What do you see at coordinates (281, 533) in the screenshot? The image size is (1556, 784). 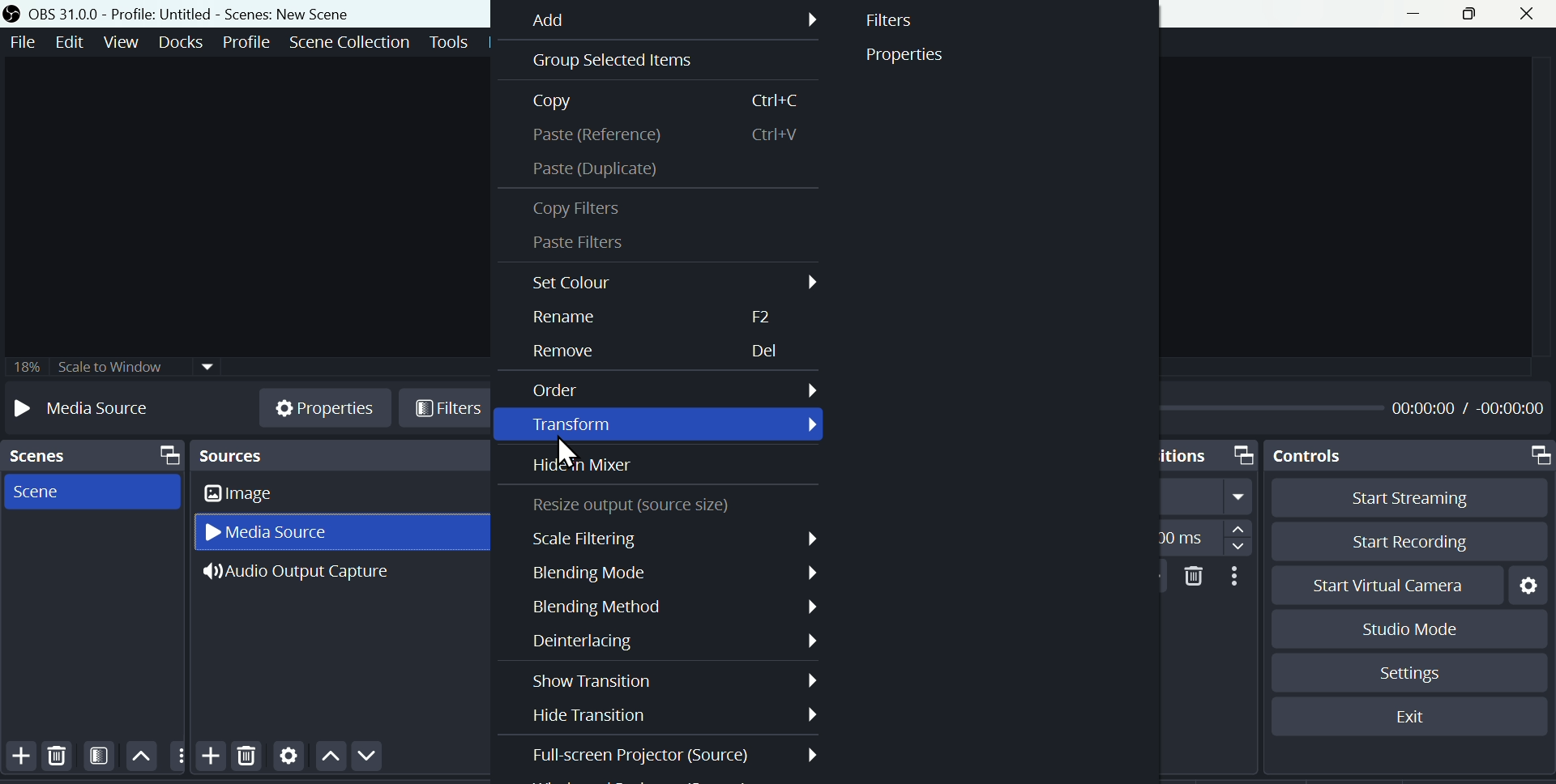 I see `Media source` at bounding box center [281, 533].